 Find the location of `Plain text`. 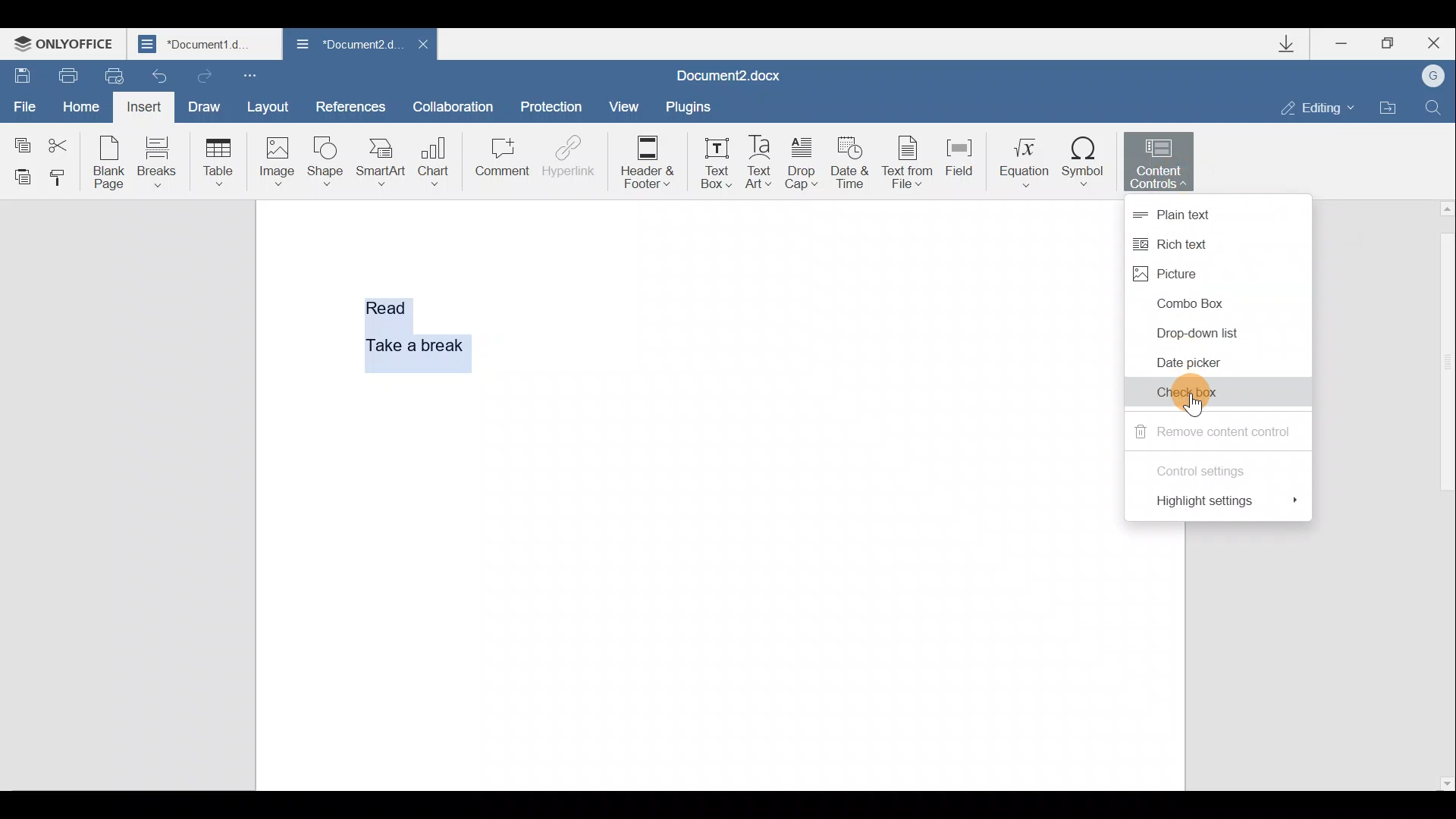

Plain text is located at coordinates (1207, 210).